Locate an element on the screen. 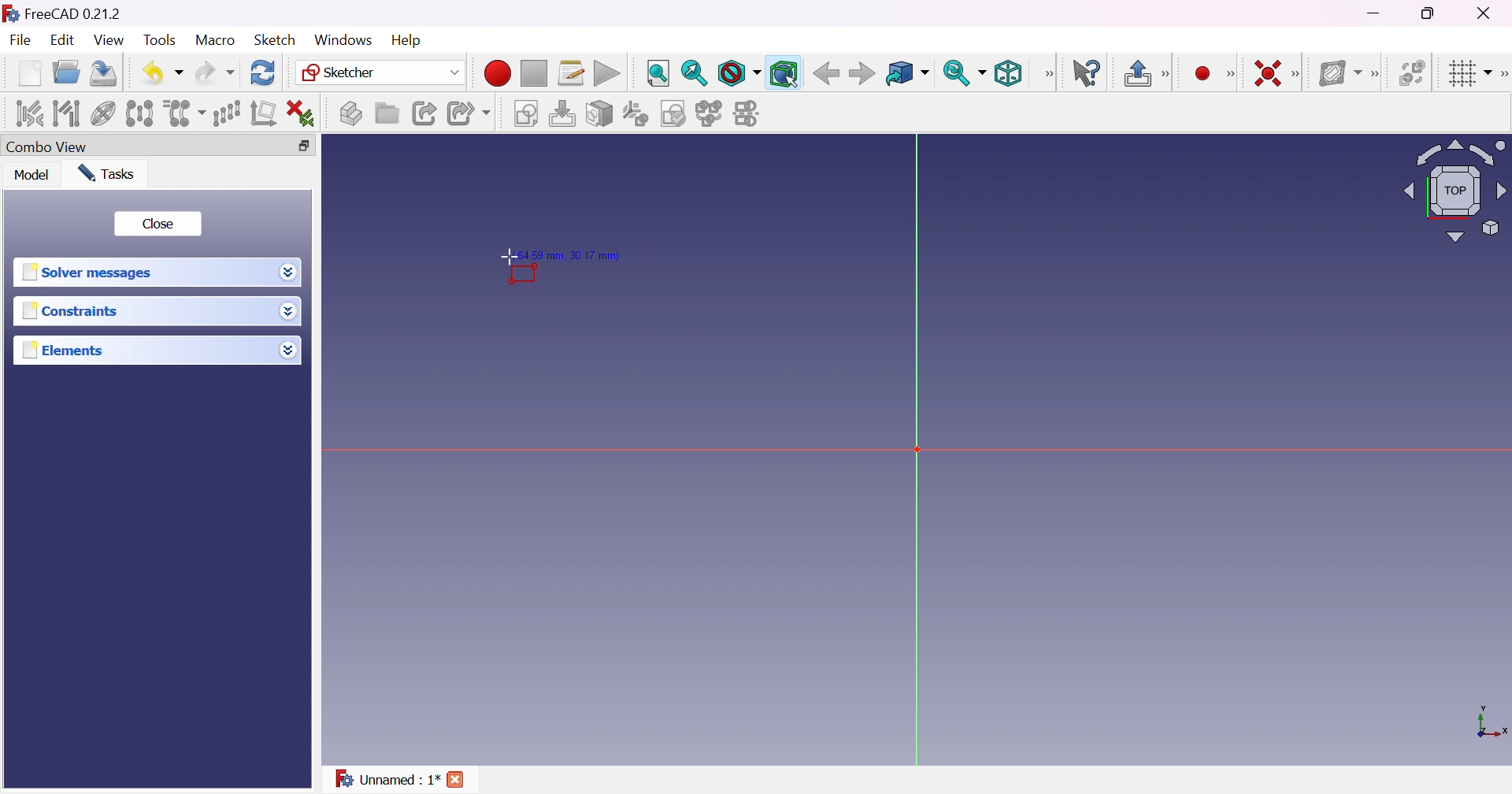 This screenshot has width=1512, height=794. Go to linked object is located at coordinates (908, 72).